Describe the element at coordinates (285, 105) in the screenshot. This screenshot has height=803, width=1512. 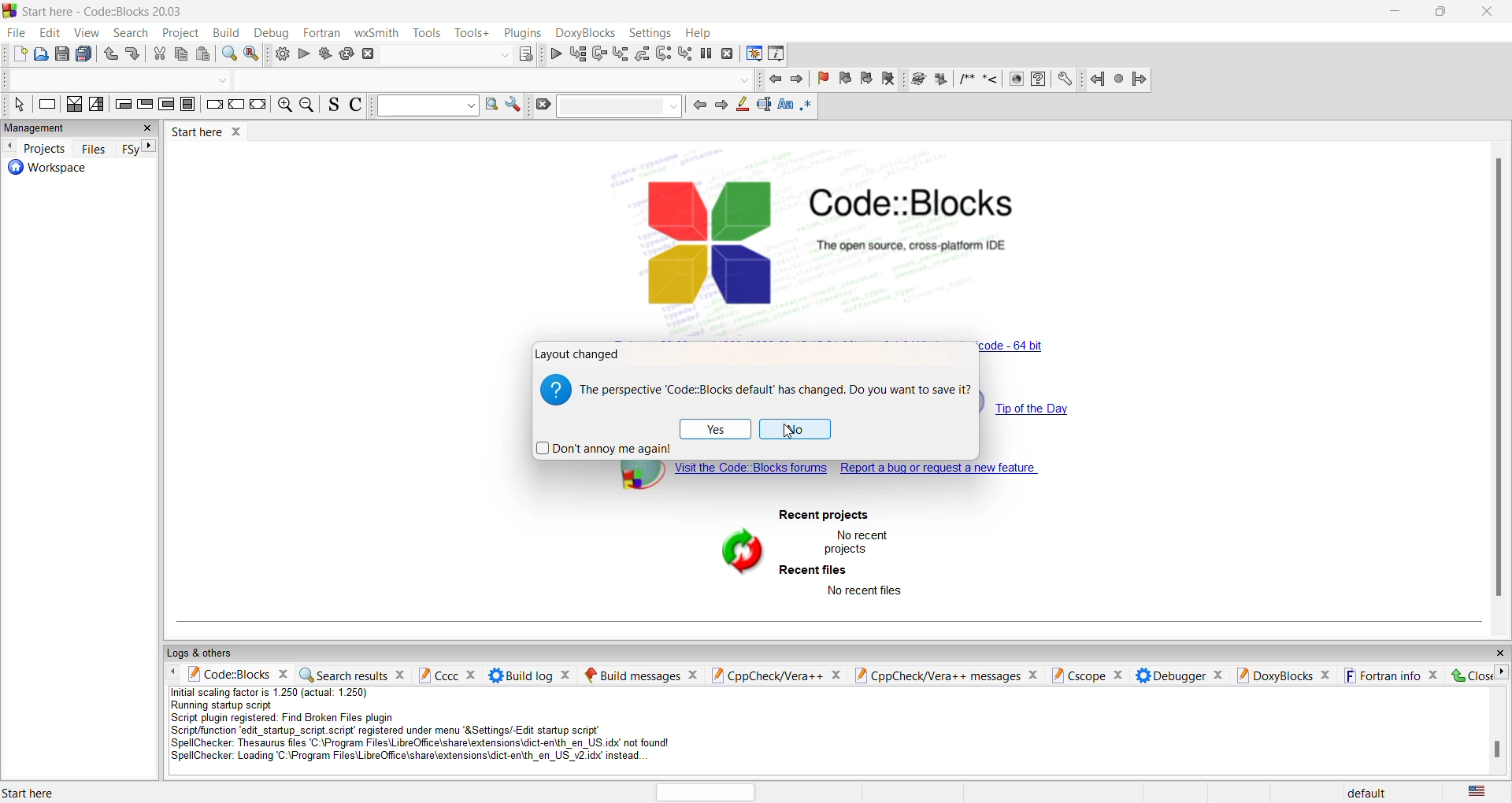
I see `zoom in` at that location.